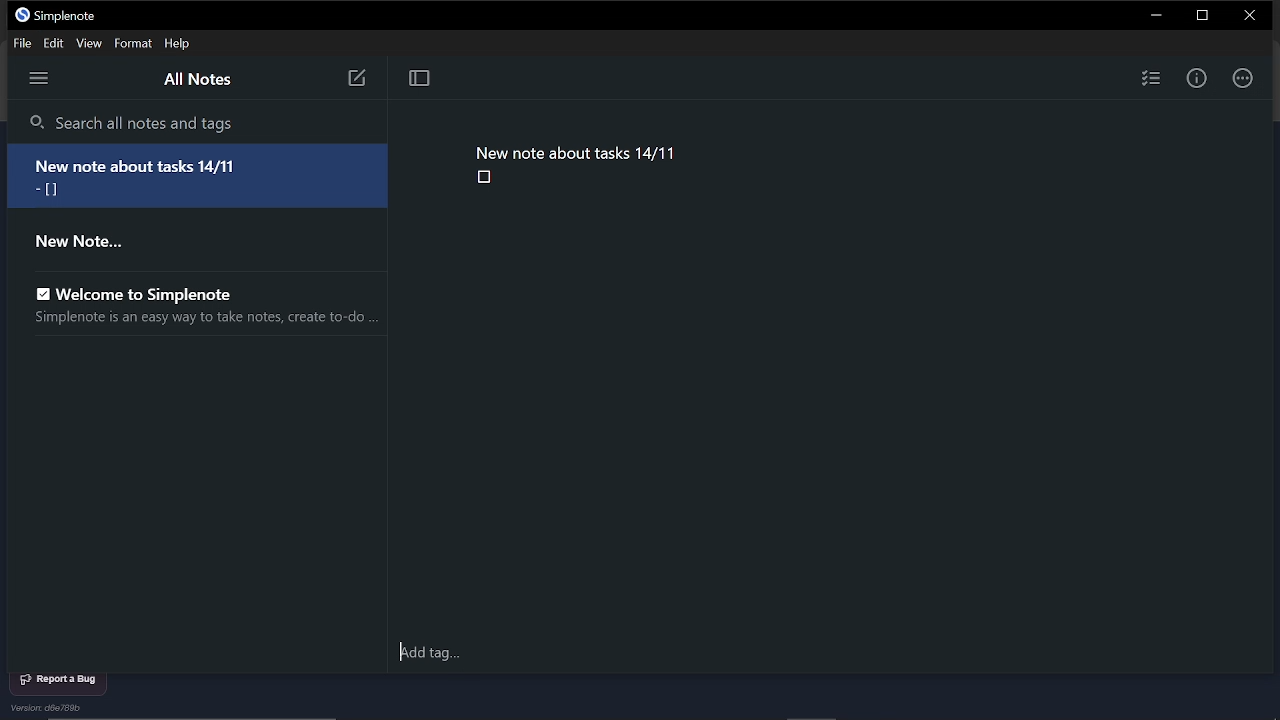 The height and width of the screenshot is (720, 1280). I want to click on simplenote logo, so click(20, 16).